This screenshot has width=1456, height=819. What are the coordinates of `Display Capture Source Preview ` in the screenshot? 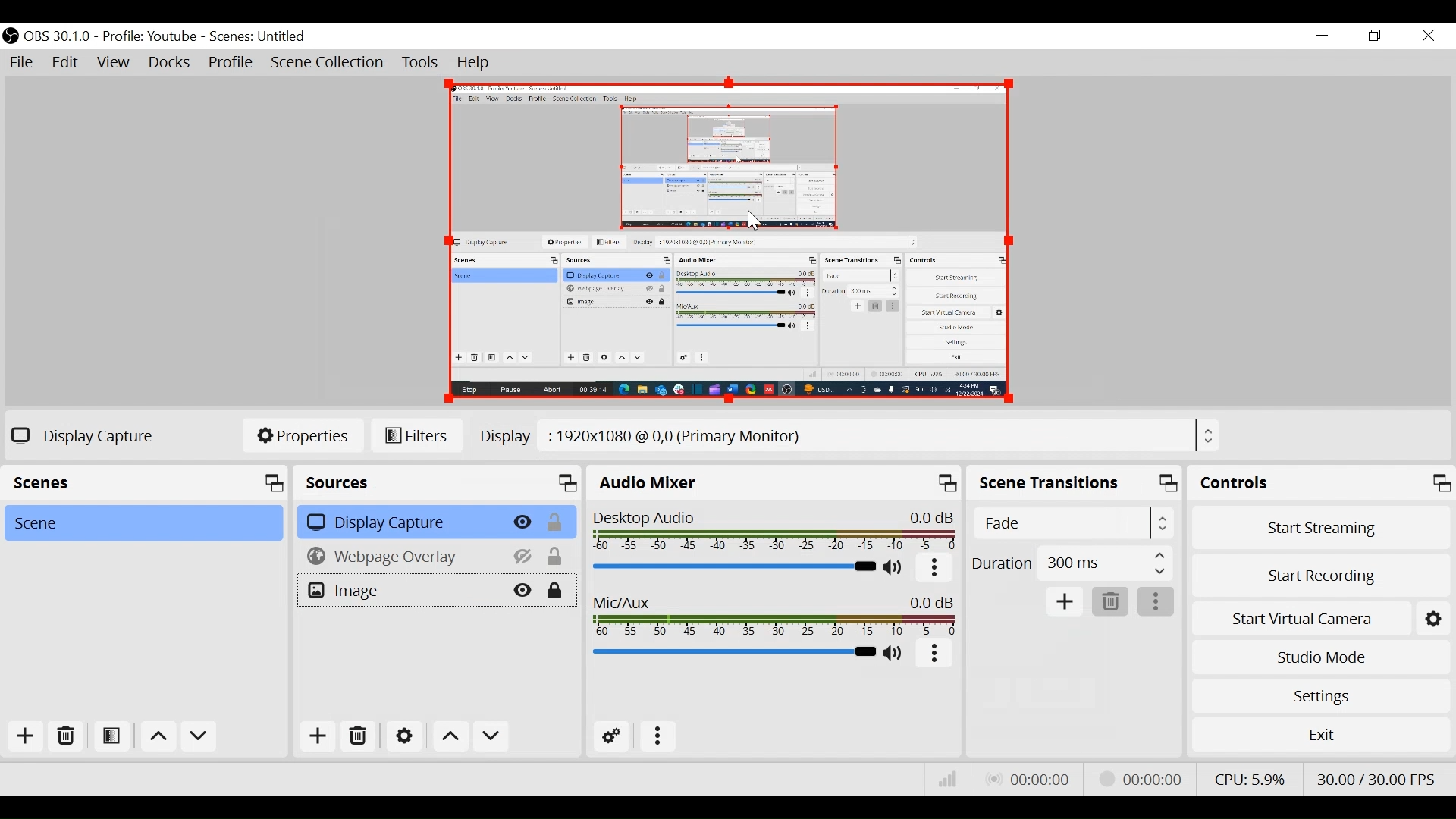 It's located at (725, 242).